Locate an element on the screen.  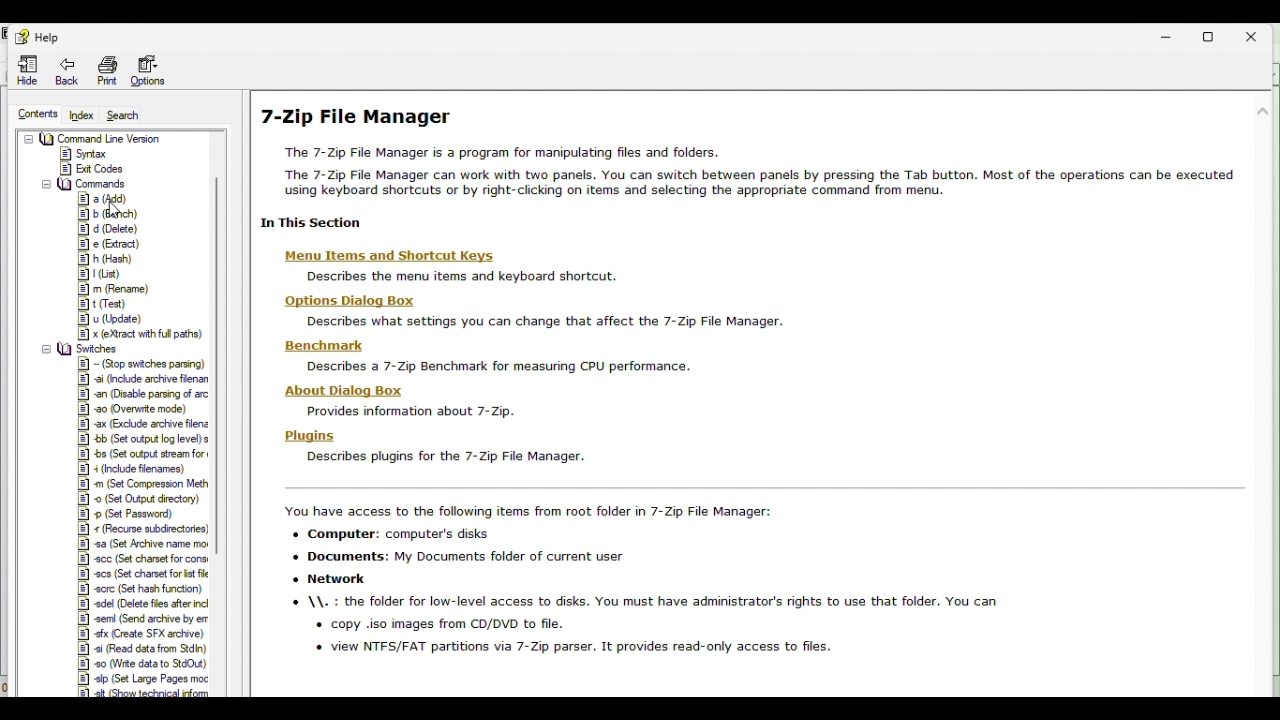
h is located at coordinates (111, 259).